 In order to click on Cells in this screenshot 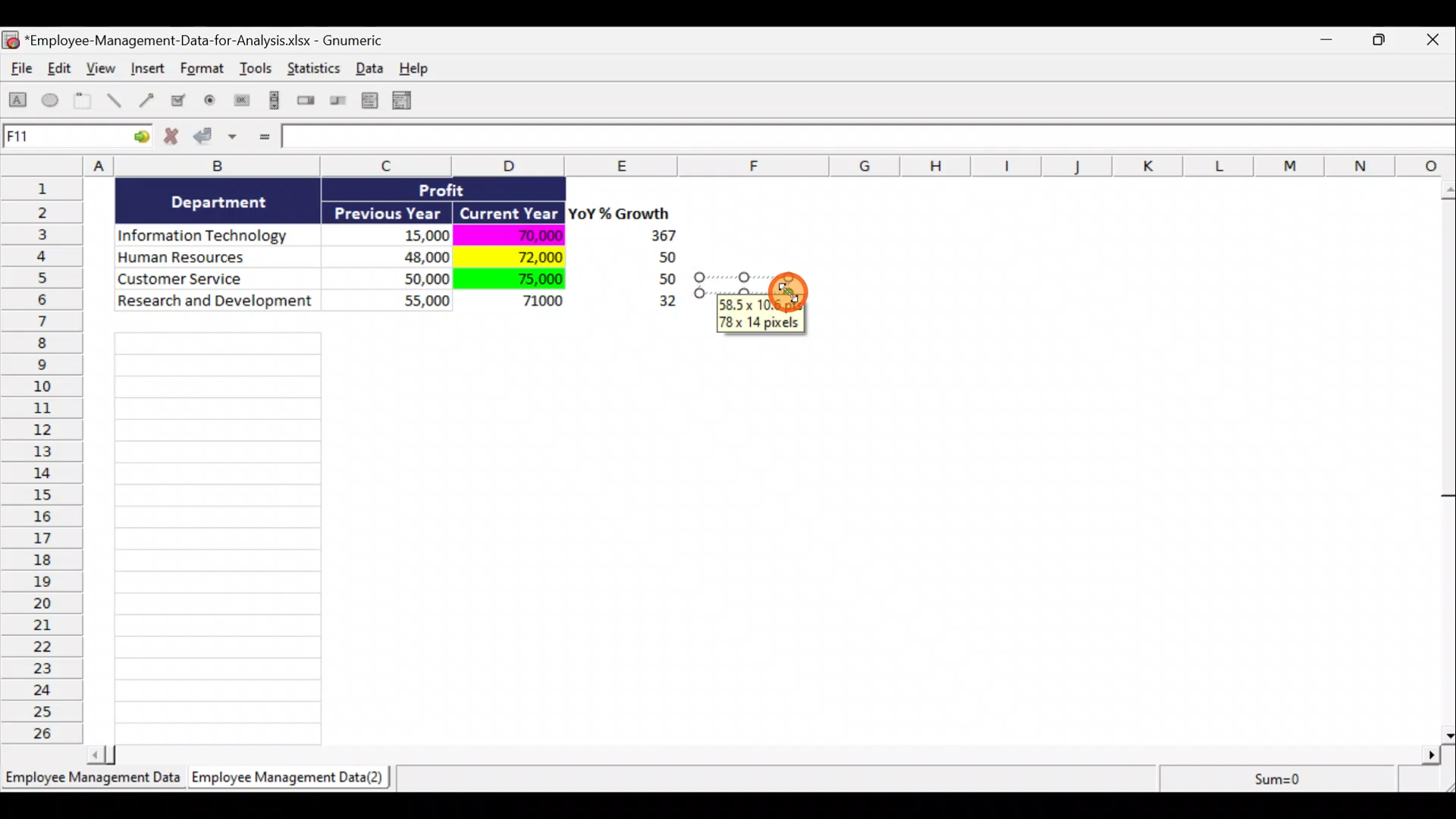, I will do `click(218, 534)`.